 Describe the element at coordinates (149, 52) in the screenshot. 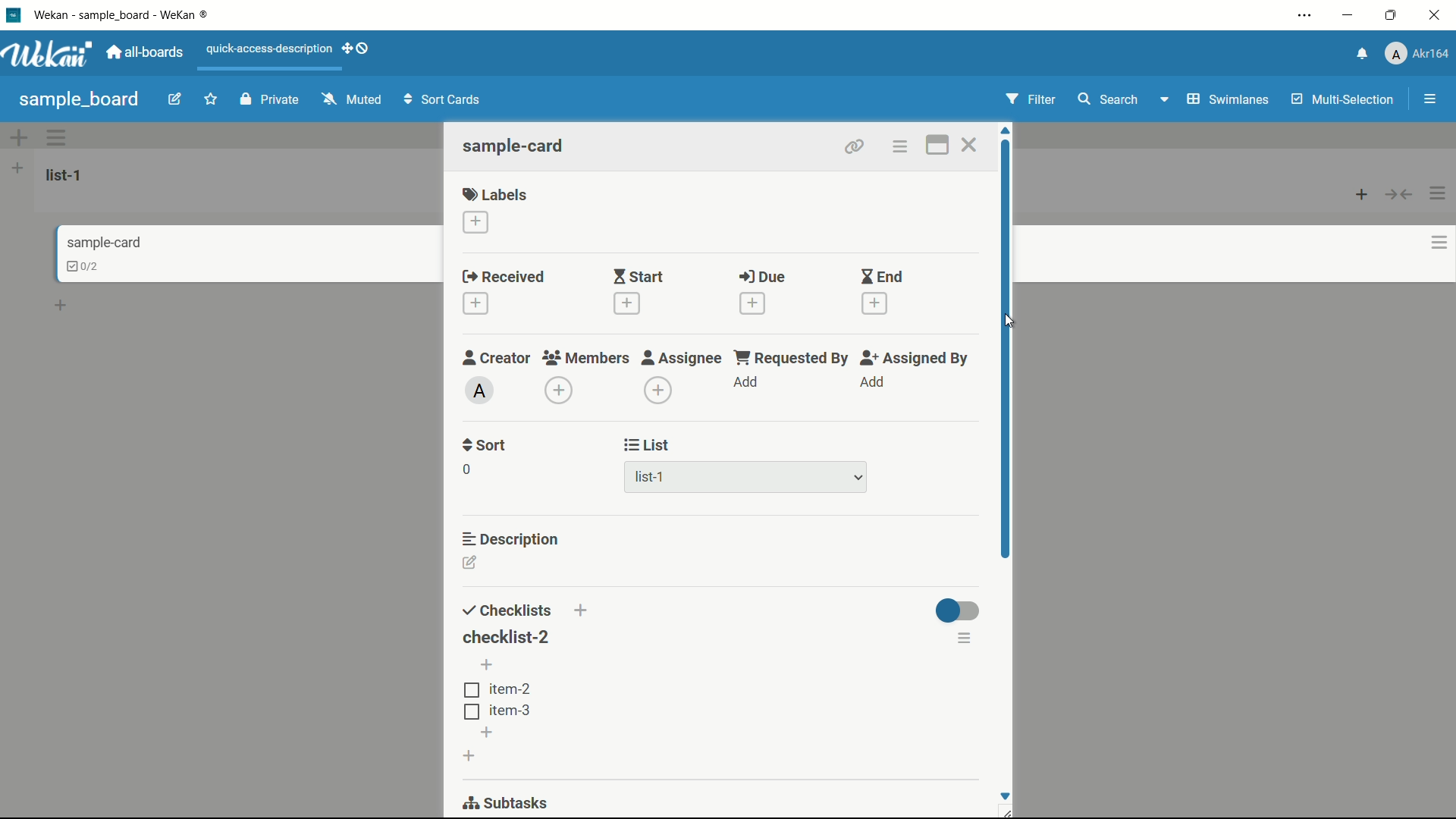

I see `all boards` at that location.